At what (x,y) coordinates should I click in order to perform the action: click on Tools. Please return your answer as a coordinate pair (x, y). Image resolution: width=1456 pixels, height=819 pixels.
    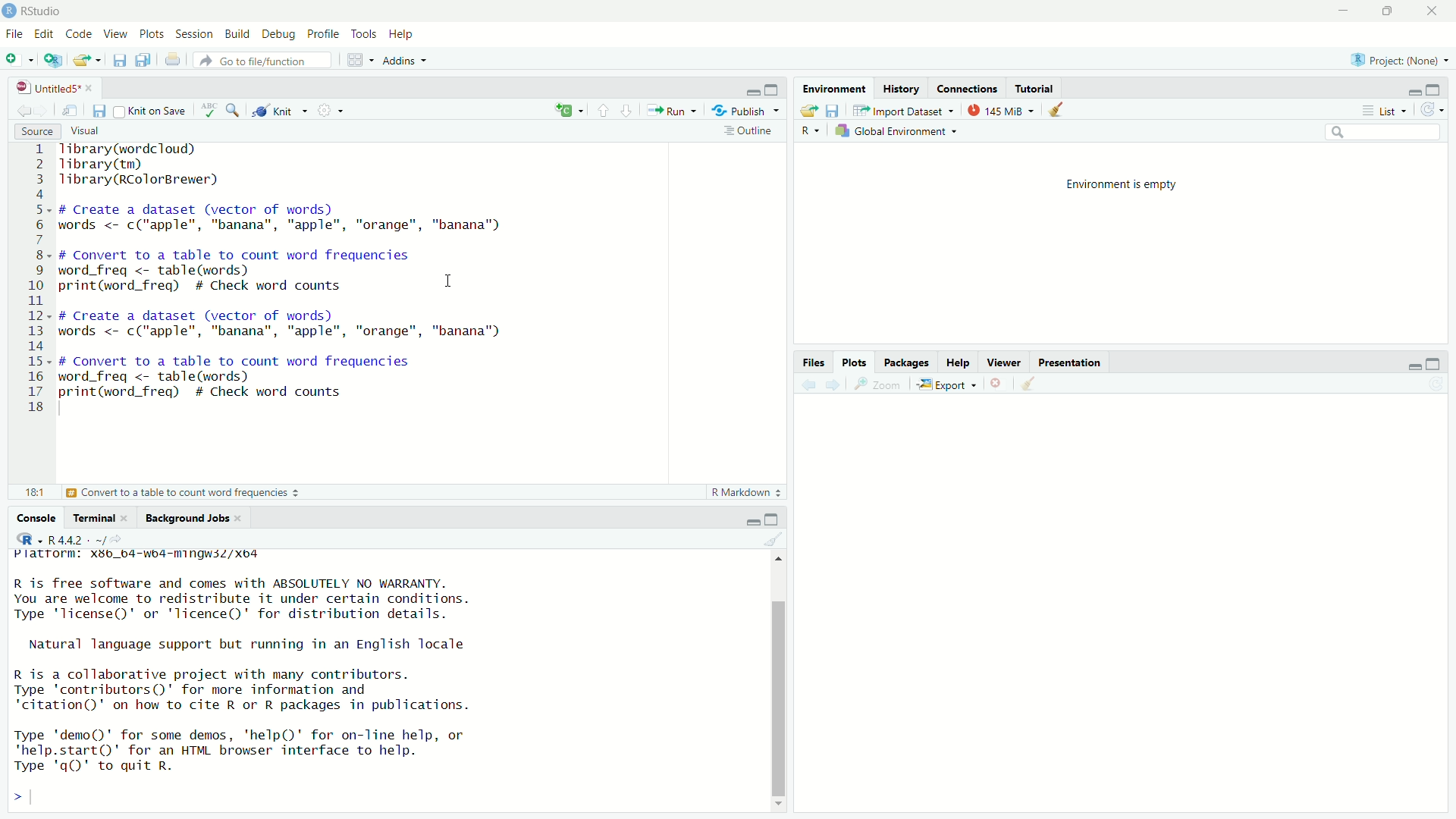
    Looking at the image, I should click on (363, 33).